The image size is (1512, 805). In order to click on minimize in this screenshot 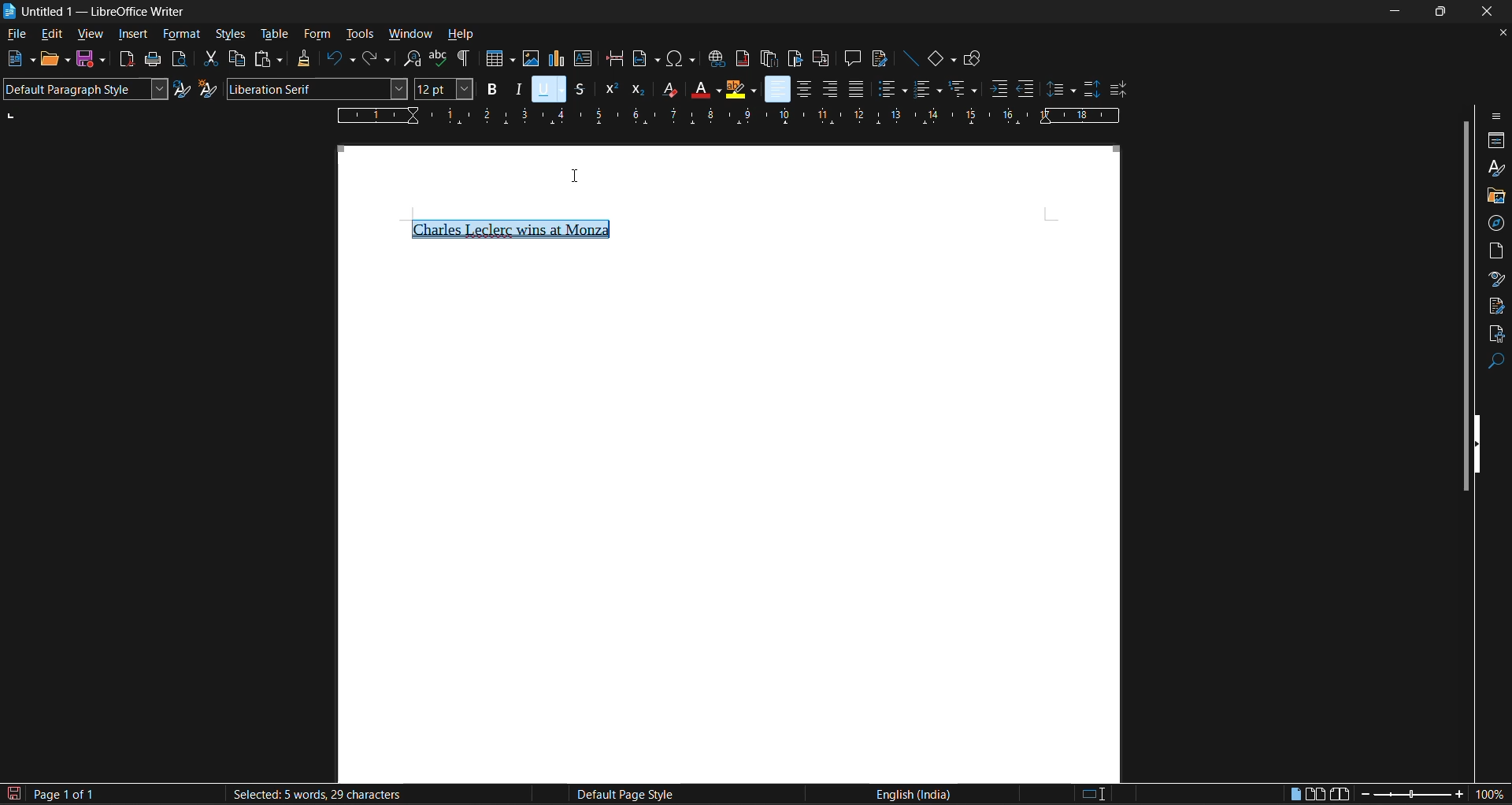, I will do `click(1397, 9)`.